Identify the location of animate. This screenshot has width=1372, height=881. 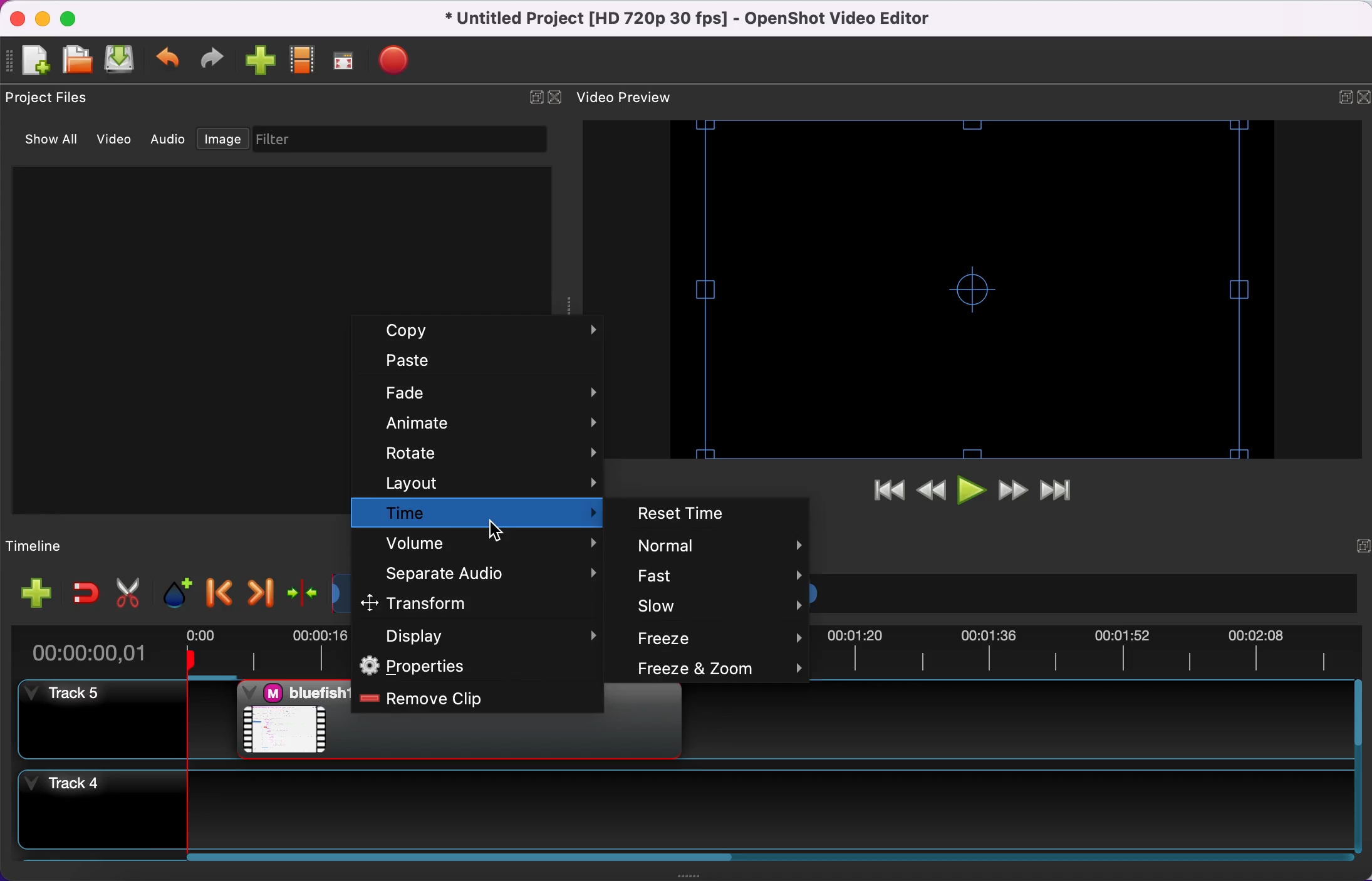
(489, 425).